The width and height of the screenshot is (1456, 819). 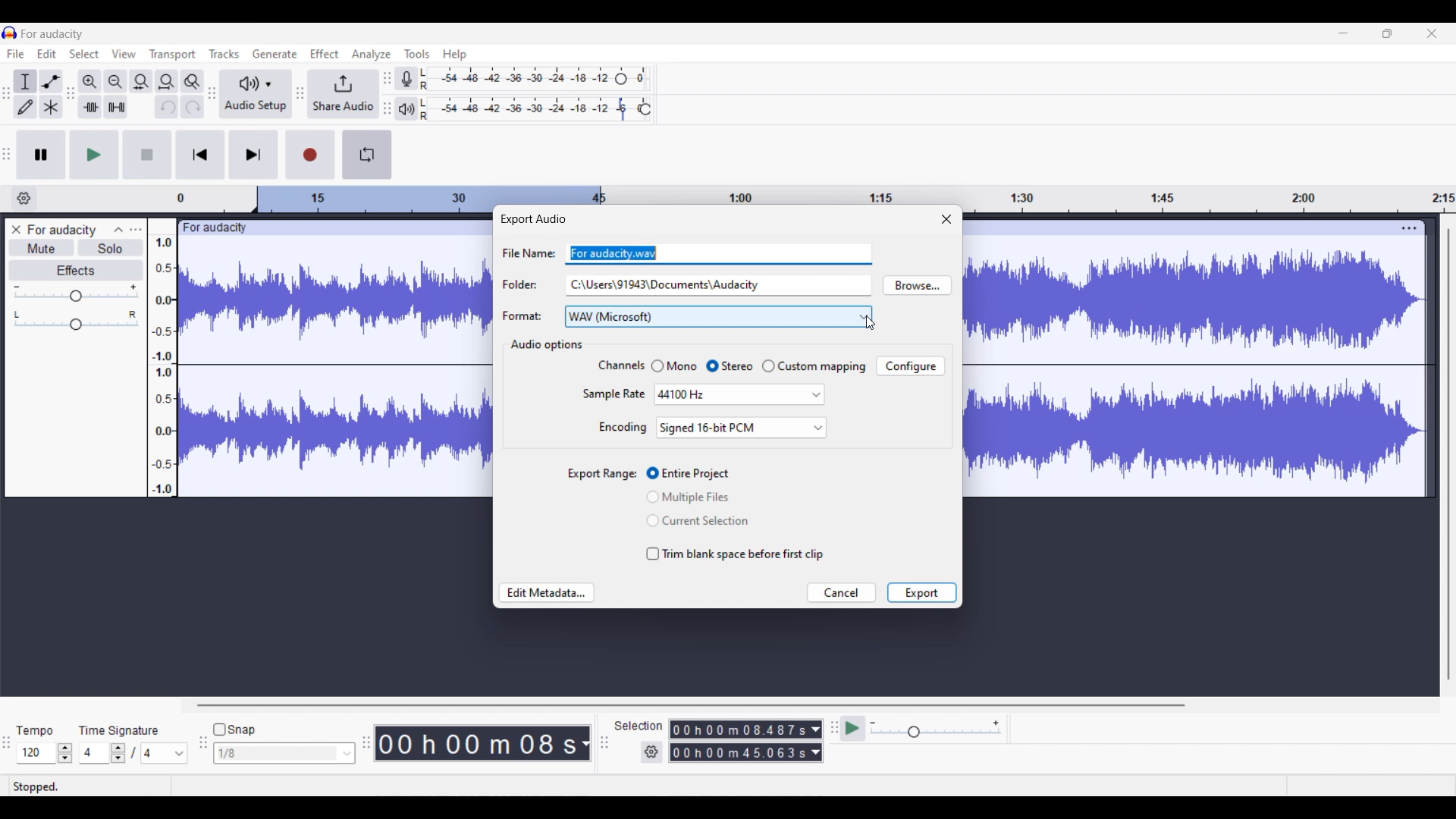 I want to click on Indicates time signature settings, so click(x=119, y=730).